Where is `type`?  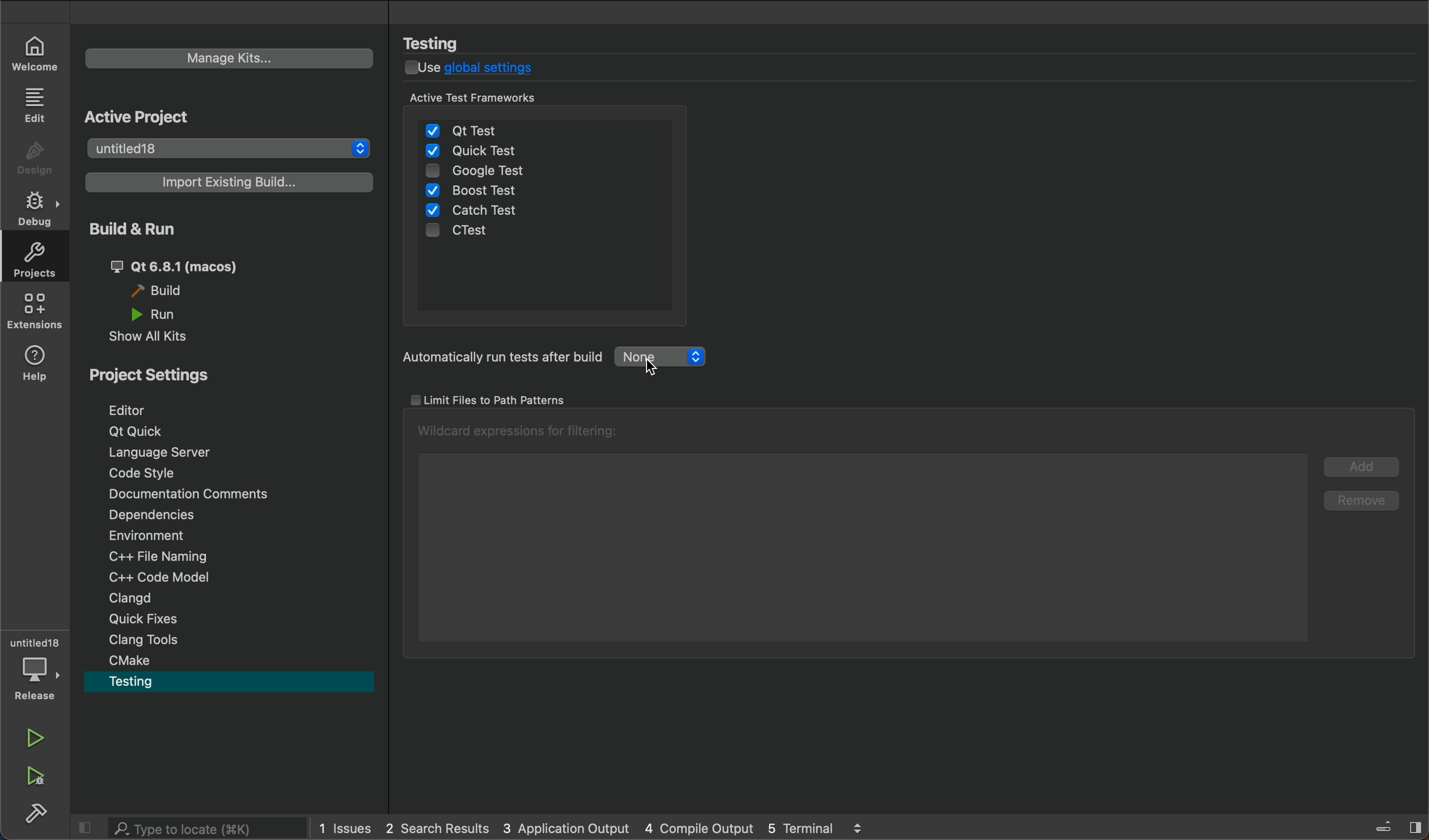 type is located at coordinates (187, 828).